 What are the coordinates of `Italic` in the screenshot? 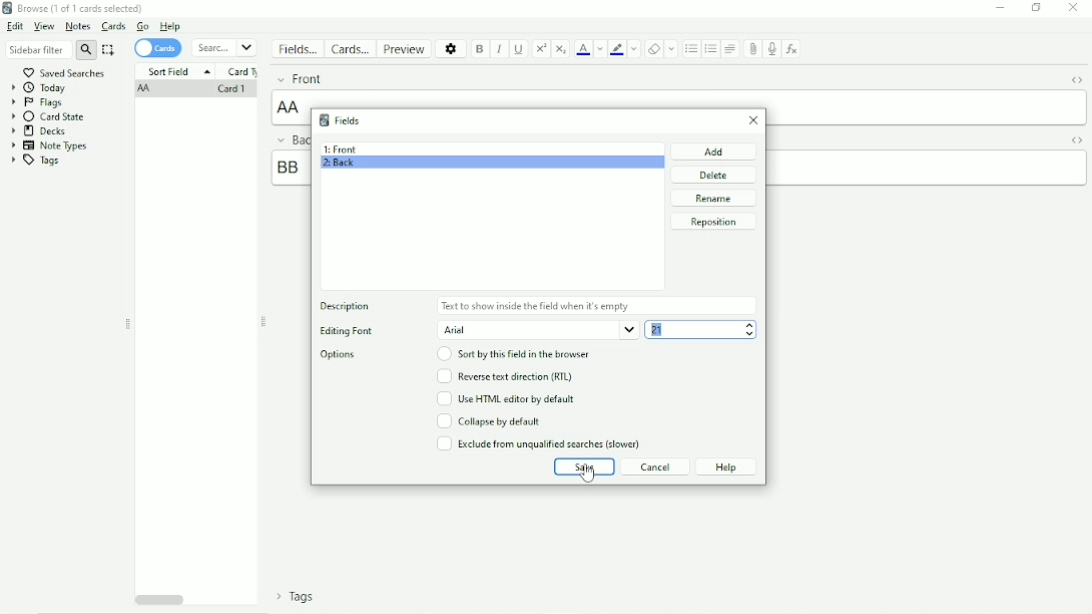 It's located at (500, 50).